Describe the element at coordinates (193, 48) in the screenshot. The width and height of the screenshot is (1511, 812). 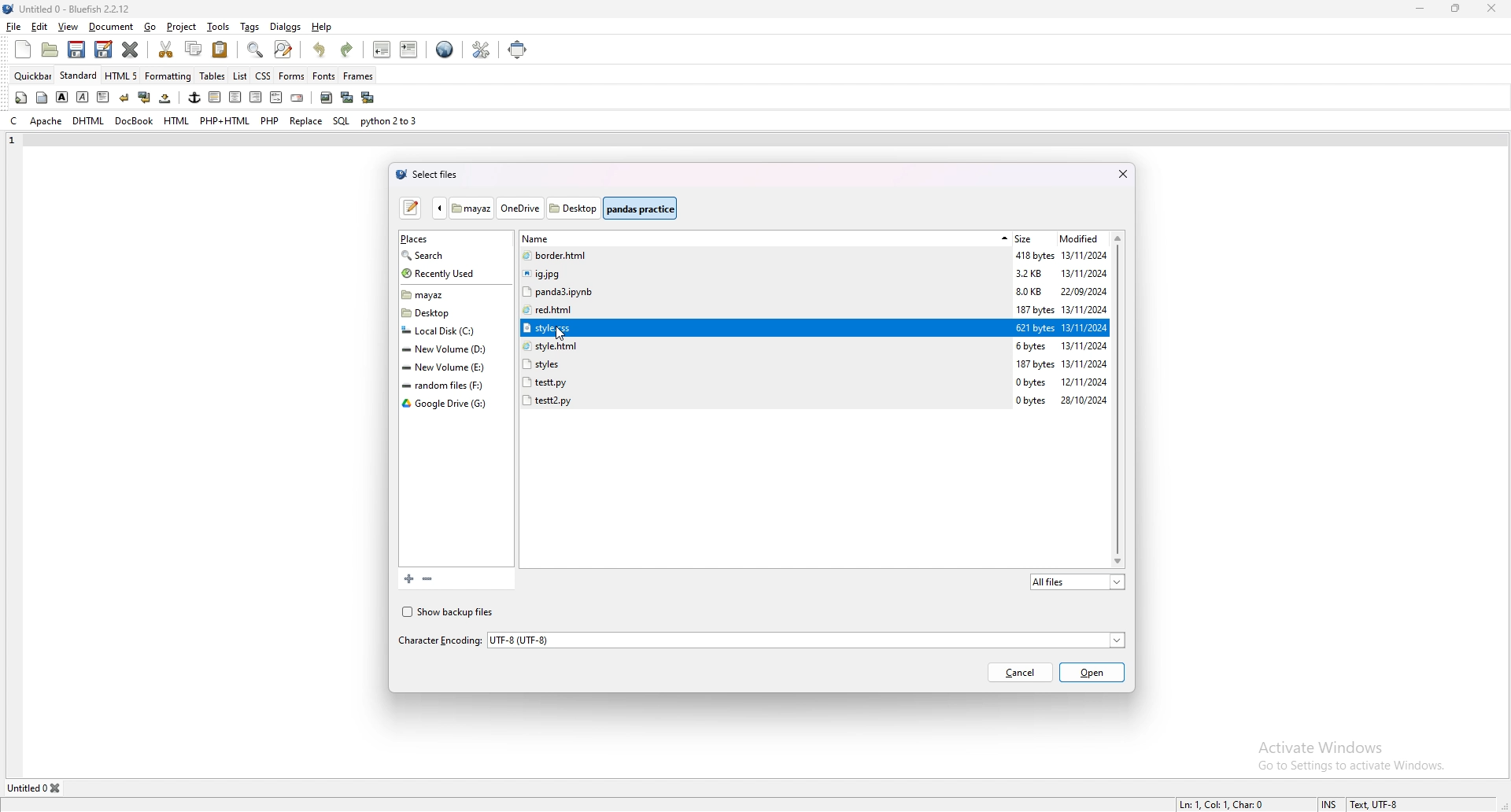
I see `copy` at that location.